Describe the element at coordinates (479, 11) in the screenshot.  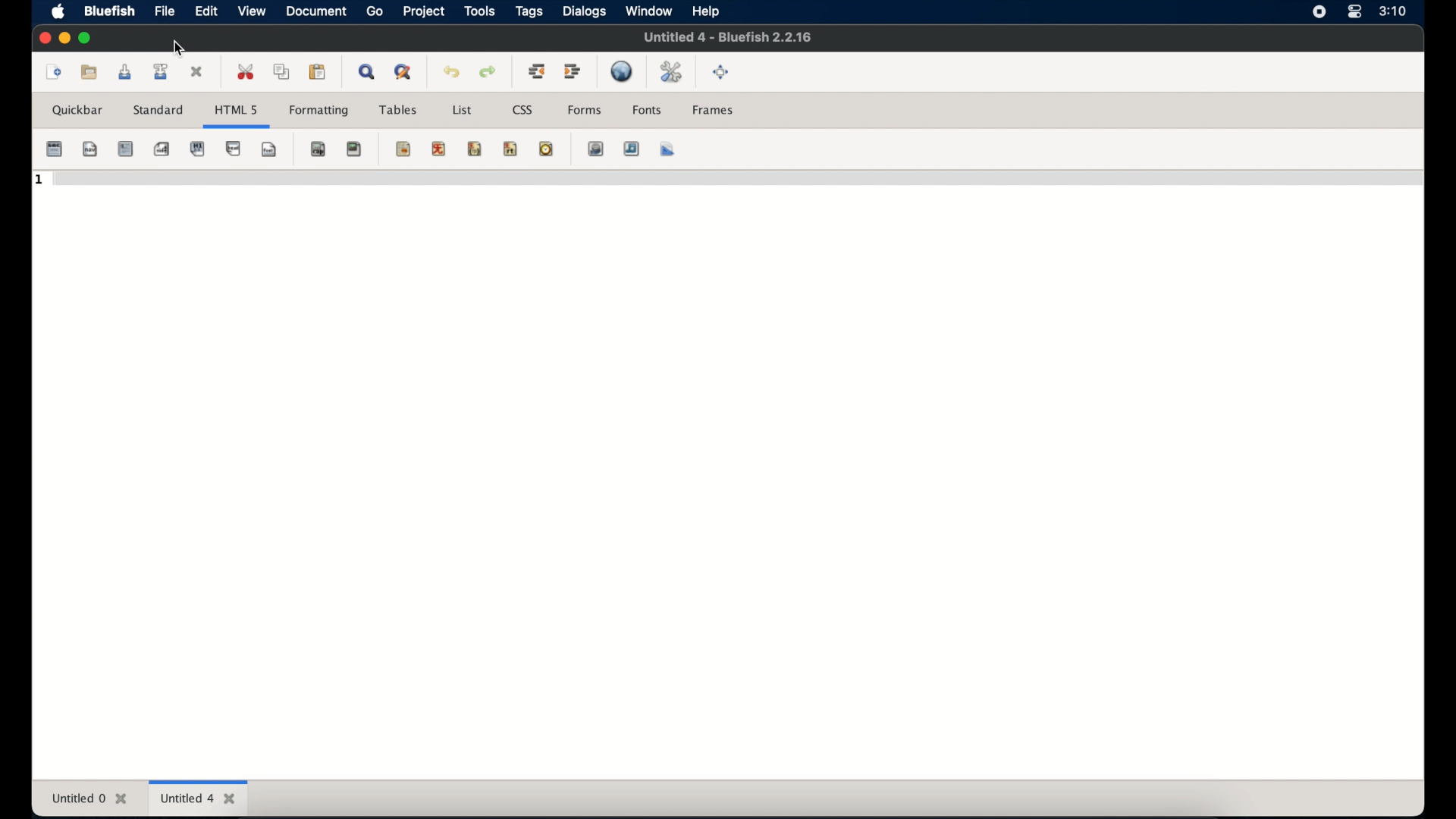
I see `tools` at that location.